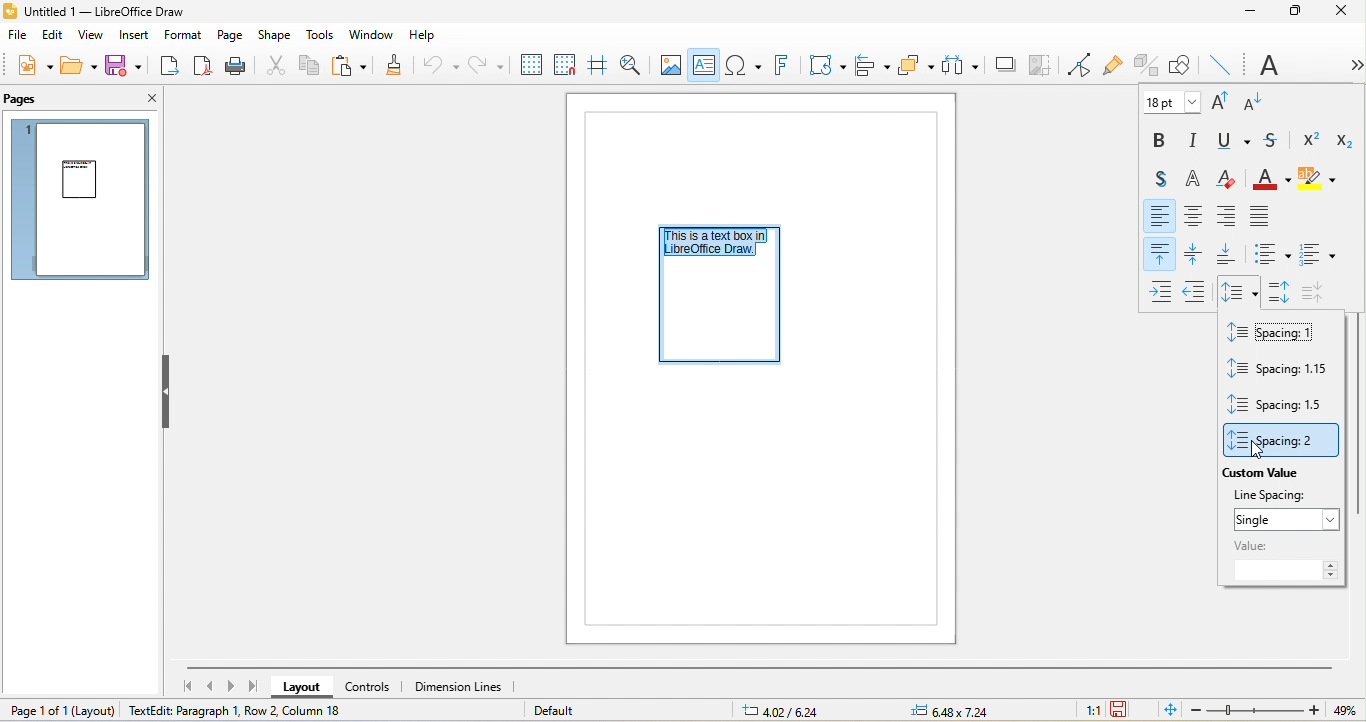  What do you see at coordinates (1312, 137) in the screenshot?
I see `superscript` at bounding box center [1312, 137].